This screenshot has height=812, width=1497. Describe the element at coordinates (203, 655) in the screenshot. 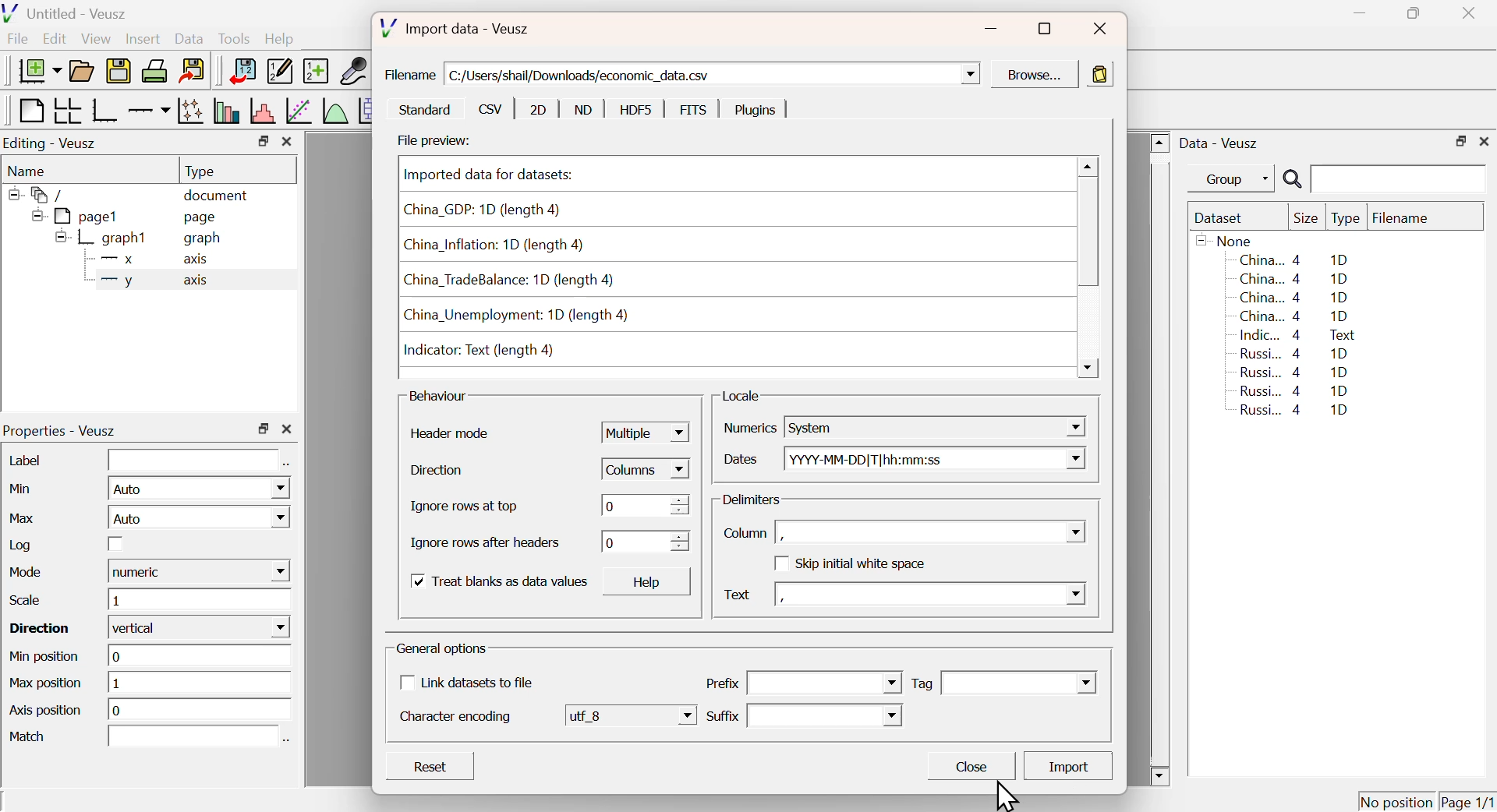

I see `0` at that location.